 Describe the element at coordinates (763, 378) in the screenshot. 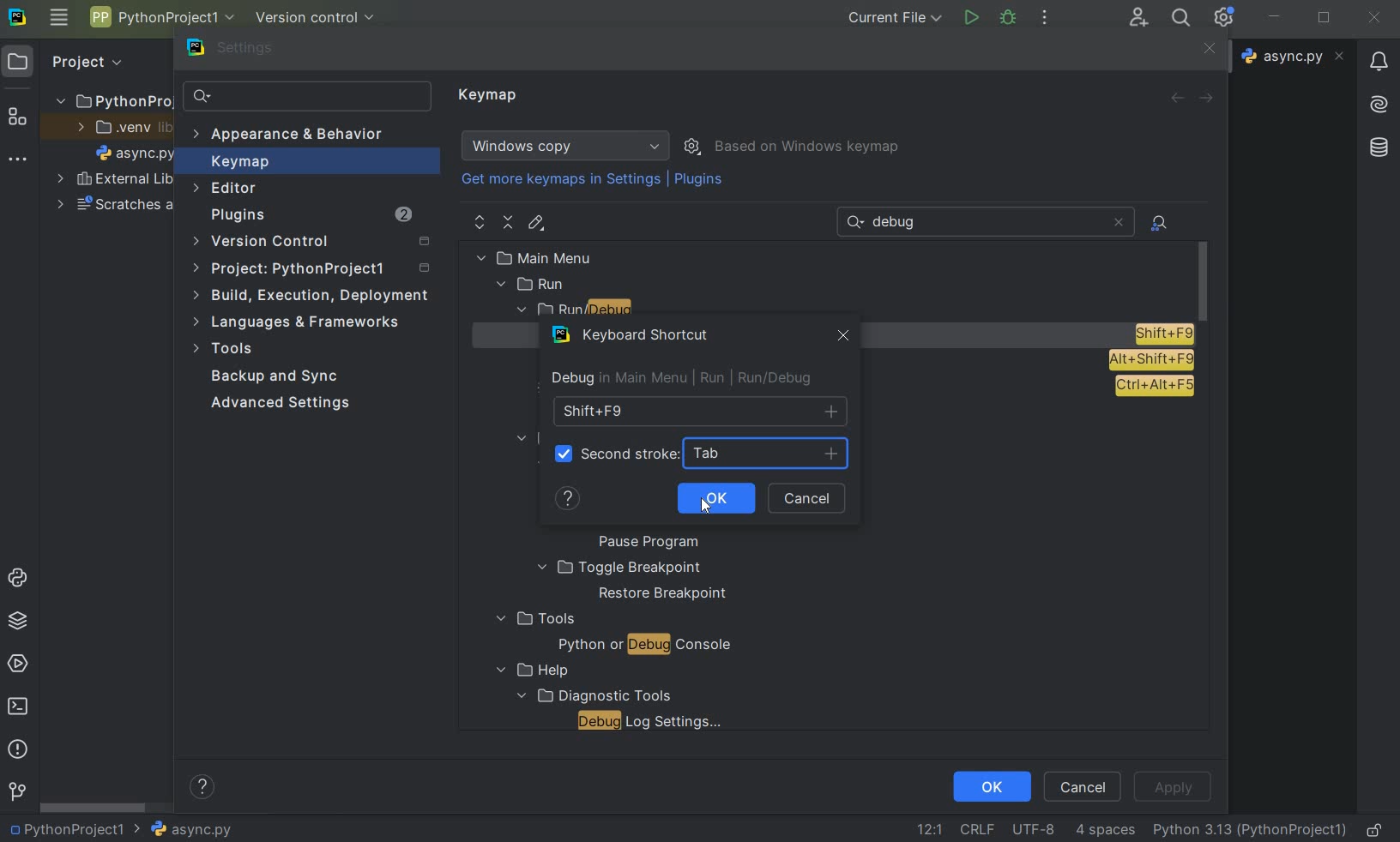

I see `run/debug` at that location.